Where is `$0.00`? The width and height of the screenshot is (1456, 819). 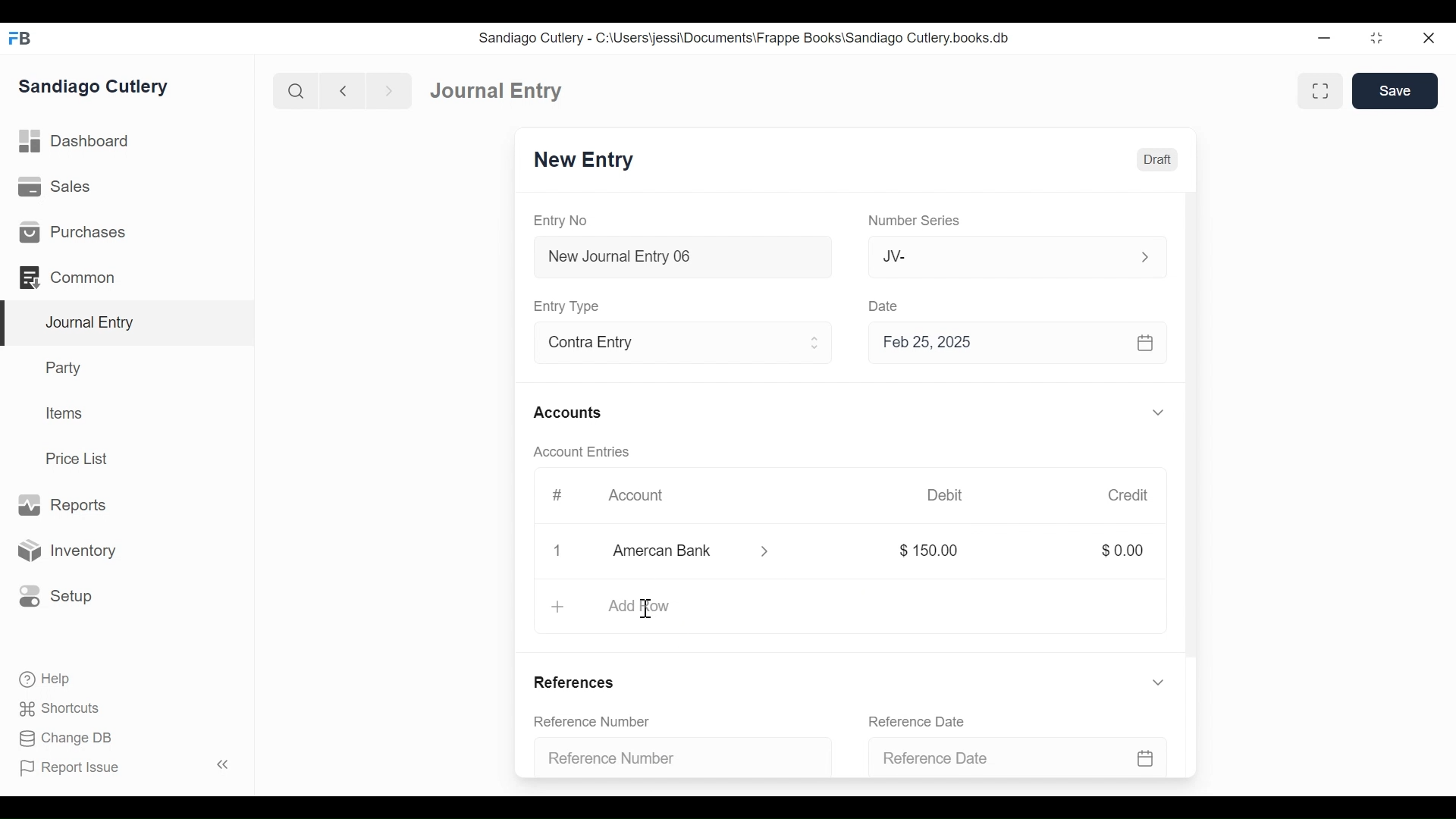
$0.00 is located at coordinates (1122, 549).